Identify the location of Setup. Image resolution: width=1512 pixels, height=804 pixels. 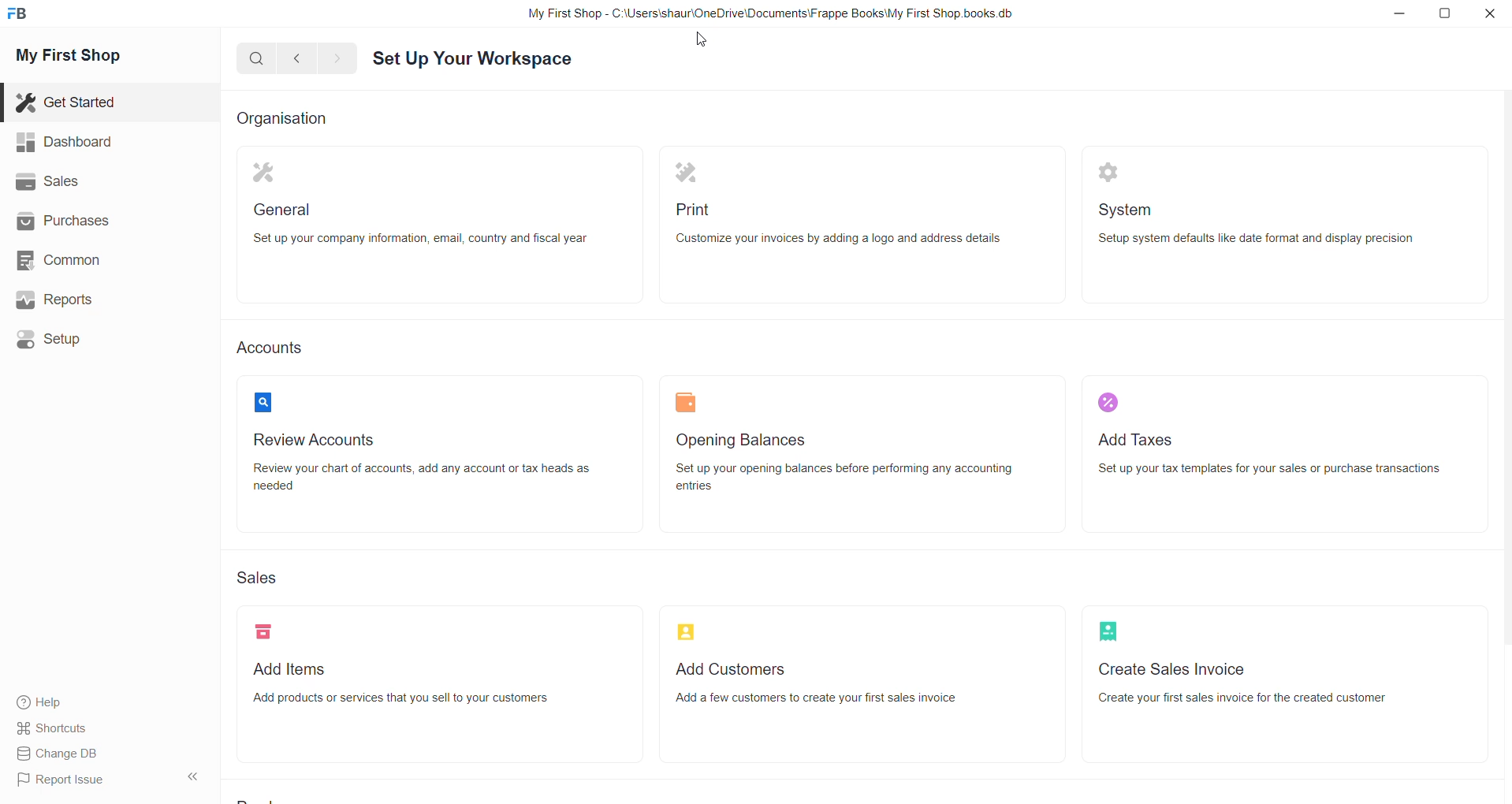
(47, 340).